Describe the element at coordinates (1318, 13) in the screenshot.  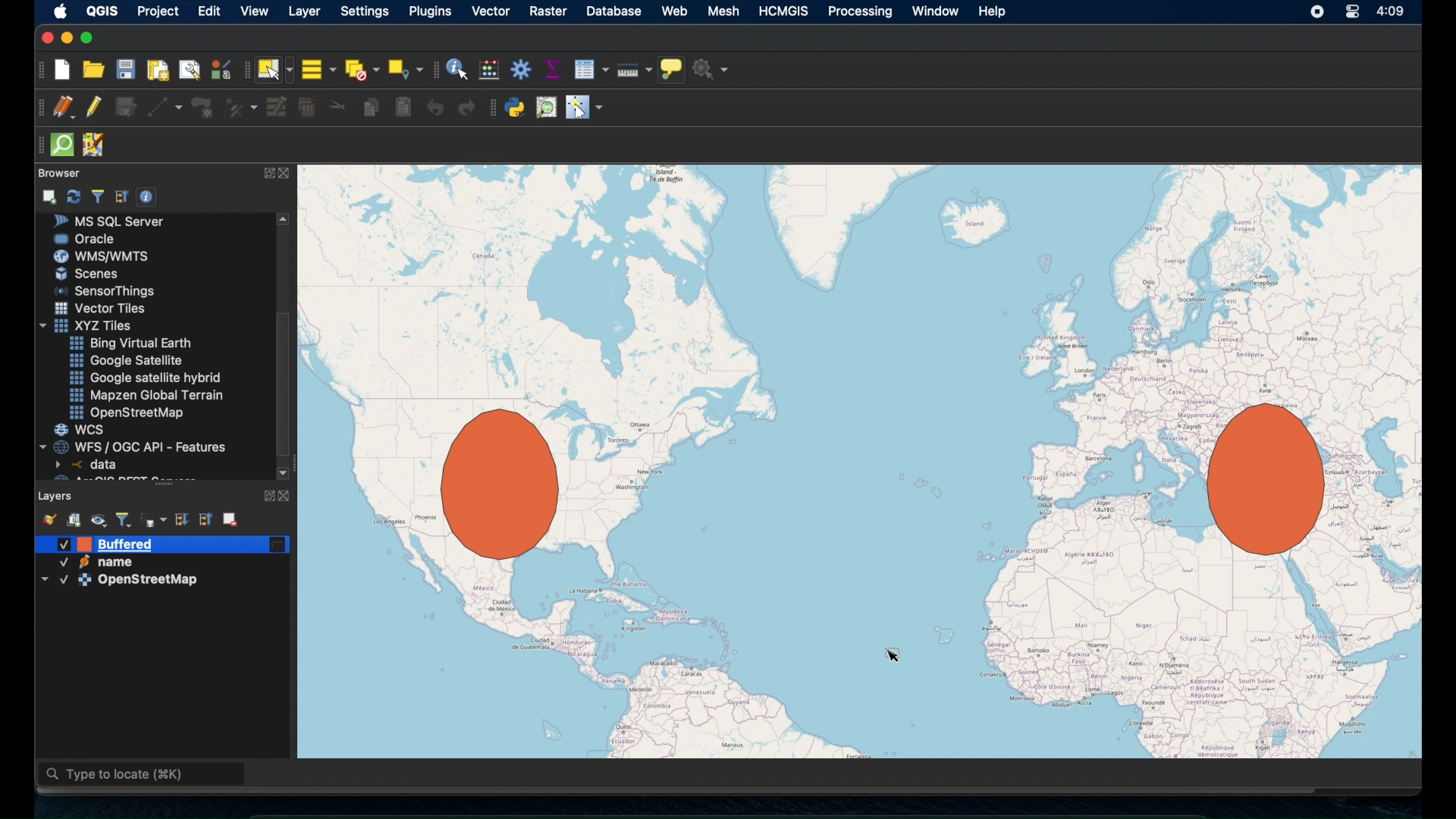
I see `screen recorder icon` at that location.